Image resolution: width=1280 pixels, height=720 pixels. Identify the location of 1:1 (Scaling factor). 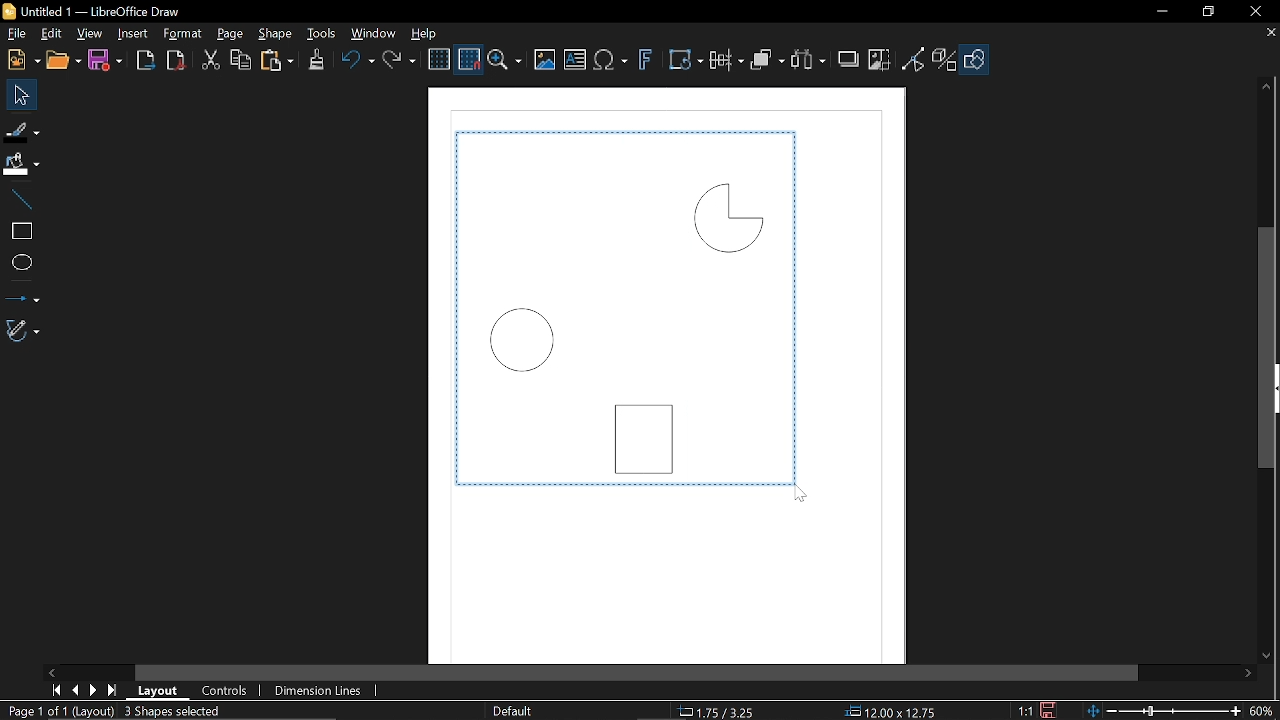
(1024, 709).